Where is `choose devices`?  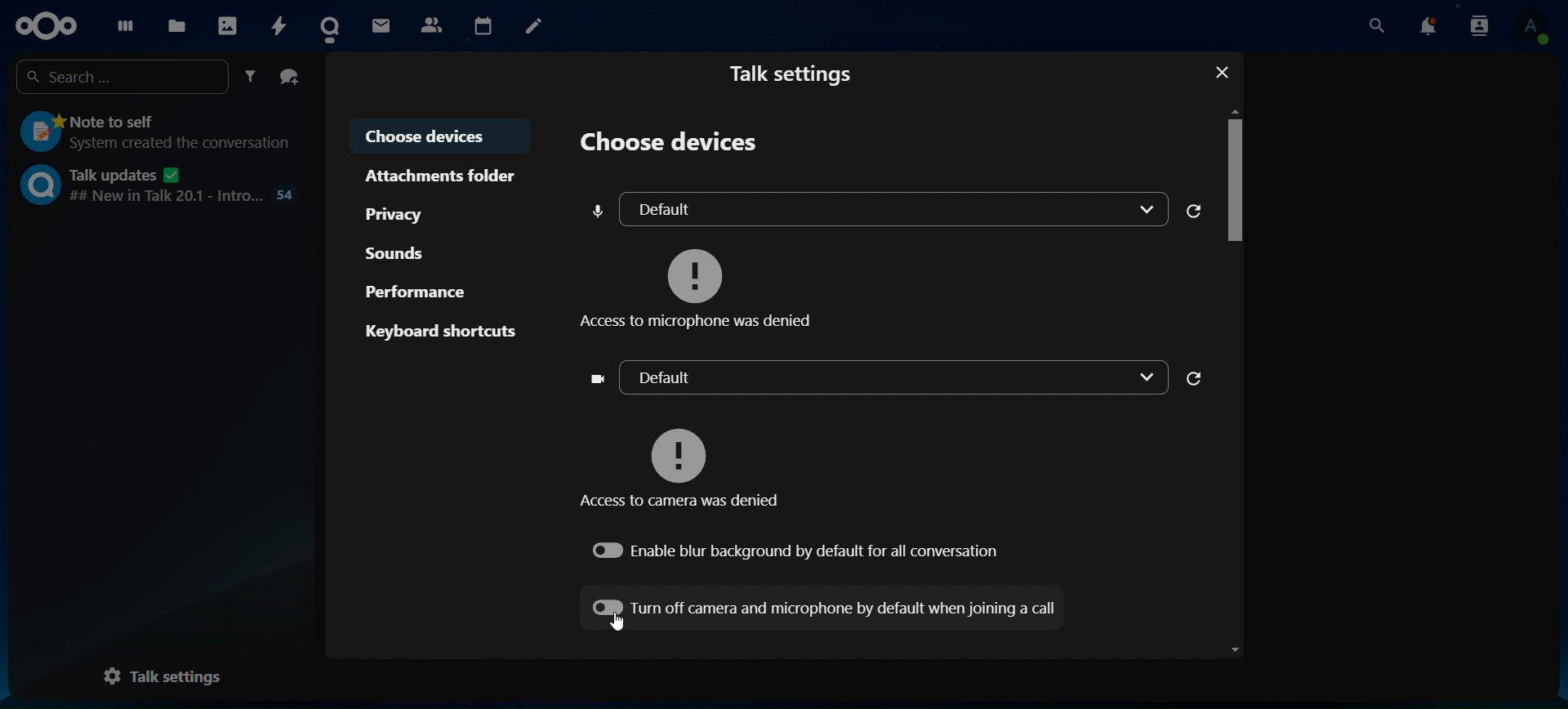 choose devices is located at coordinates (675, 145).